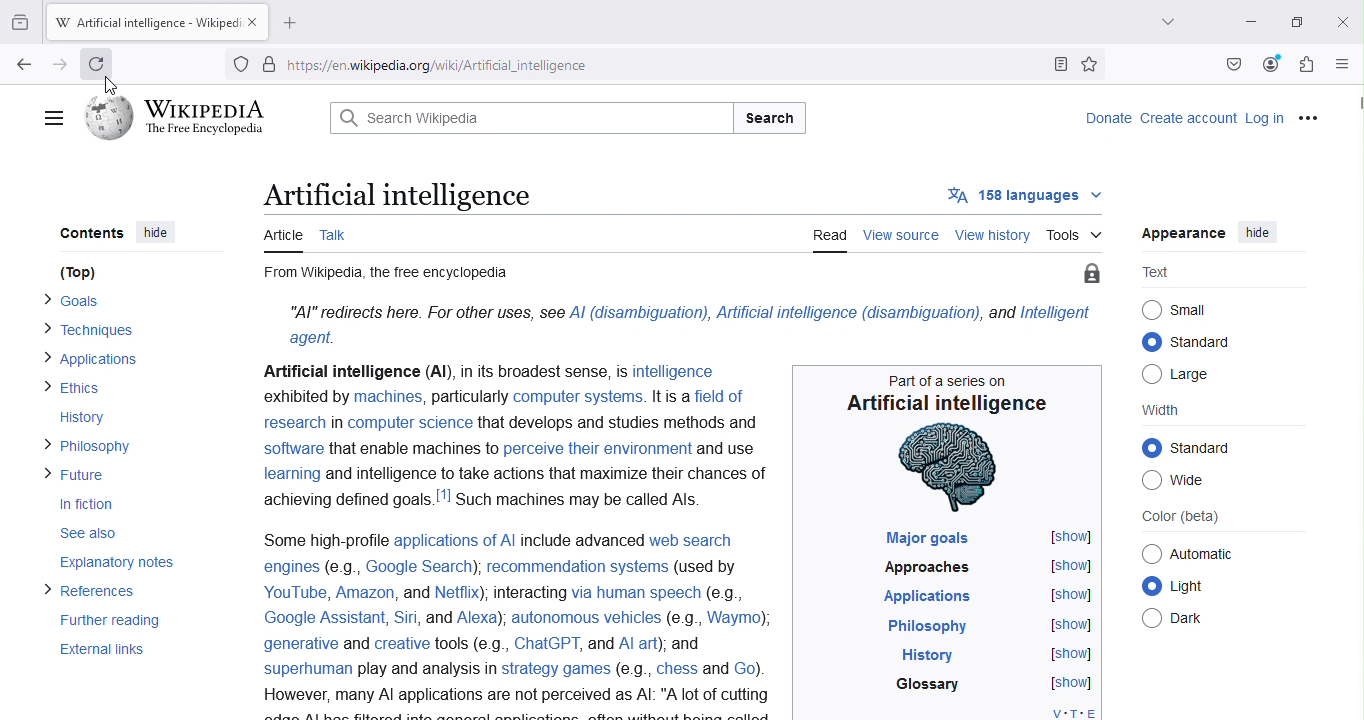 This screenshot has width=1364, height=720. What do you see at coordinates (1077, 235) in the screenshot?
I see `Tools` at bounding box center [1077, 235].